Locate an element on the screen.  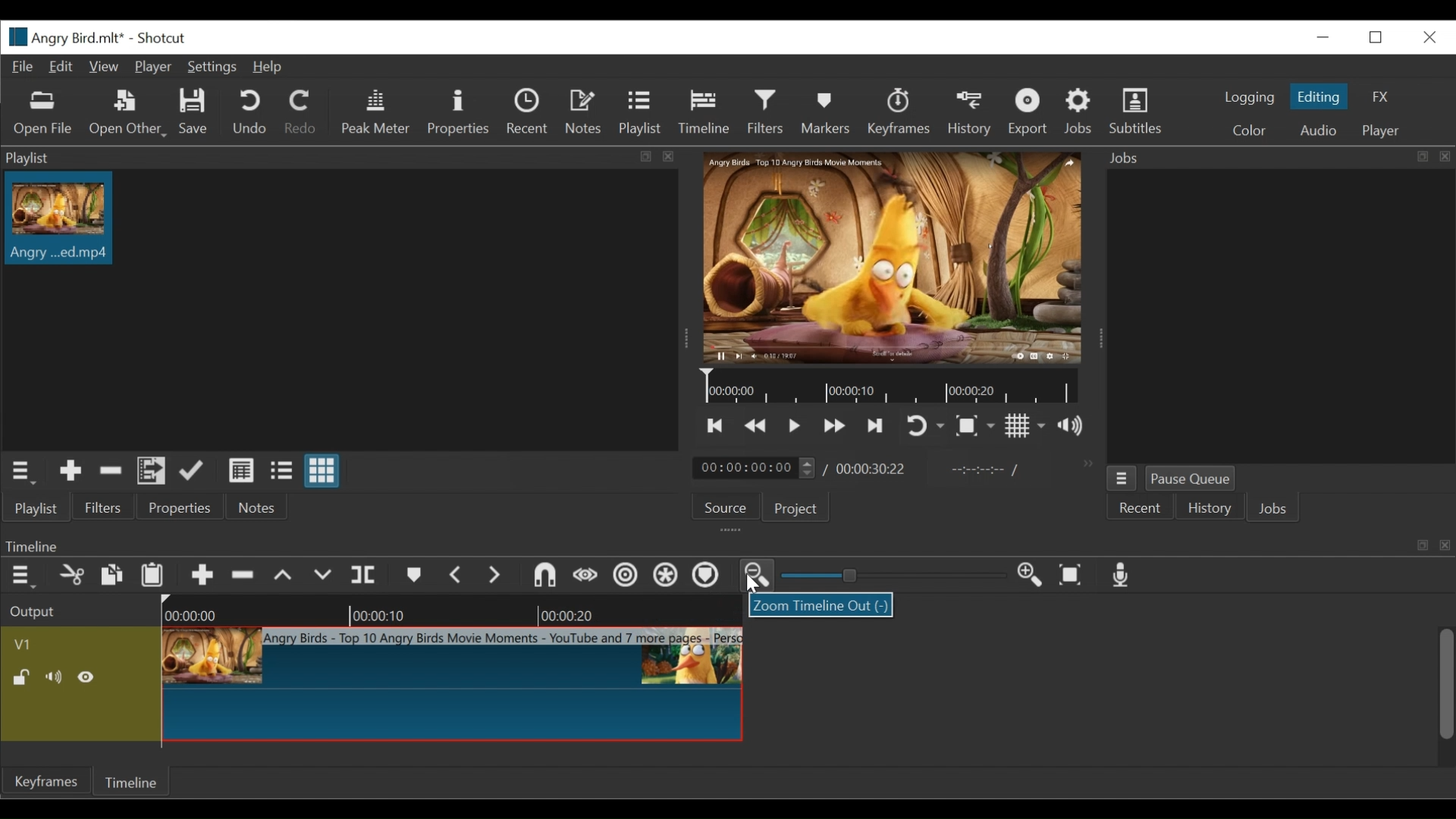
Color is located at coordinates (1248, 132).